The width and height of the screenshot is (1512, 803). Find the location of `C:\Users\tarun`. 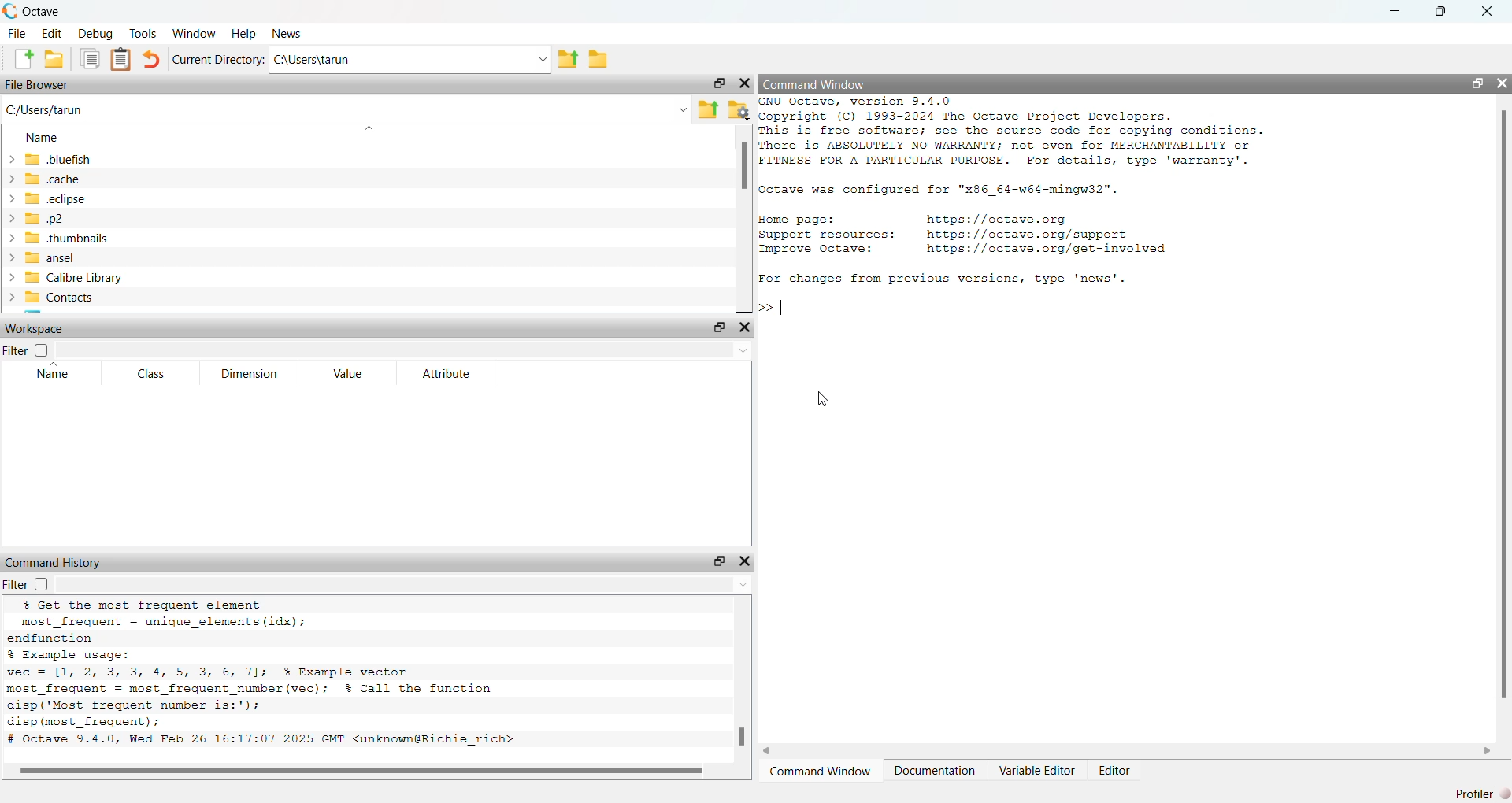

C:\Users\tarun is located at coordinates (387, 59).